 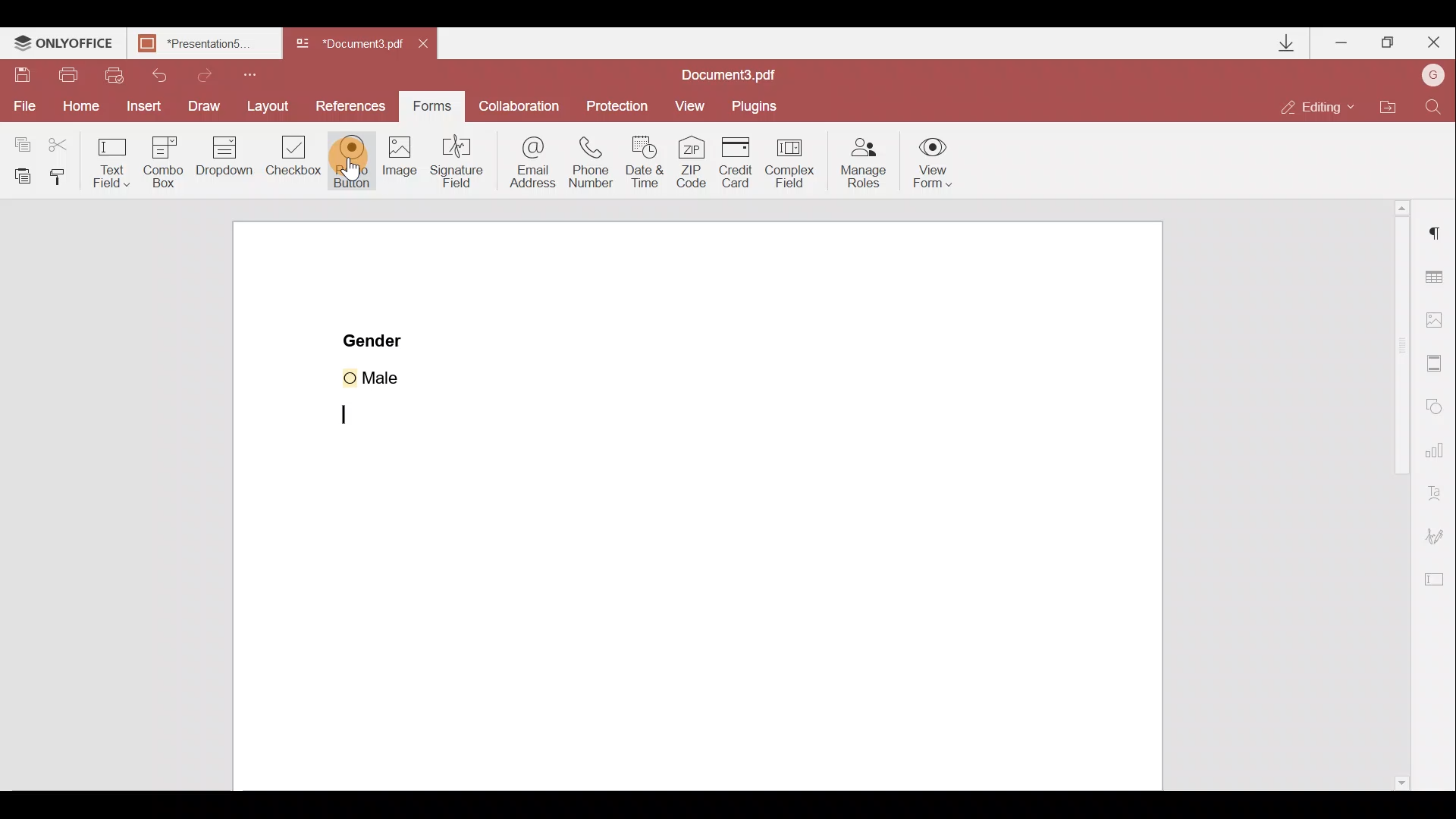 I want to click on Maximize, so click(x=1389, y=41).